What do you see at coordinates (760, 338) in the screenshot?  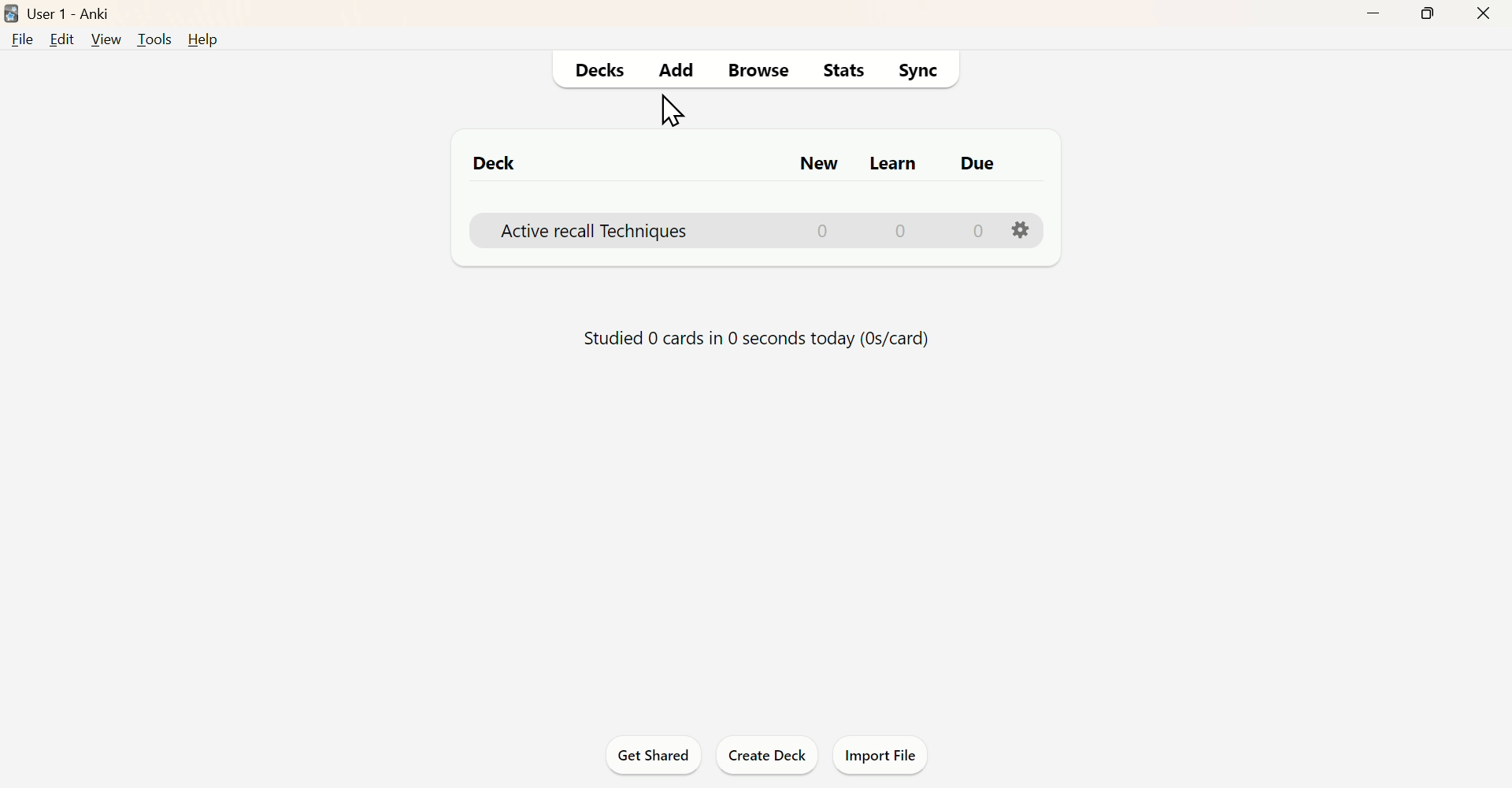 I see `Status od Activity` at bounding box center [760, 338].